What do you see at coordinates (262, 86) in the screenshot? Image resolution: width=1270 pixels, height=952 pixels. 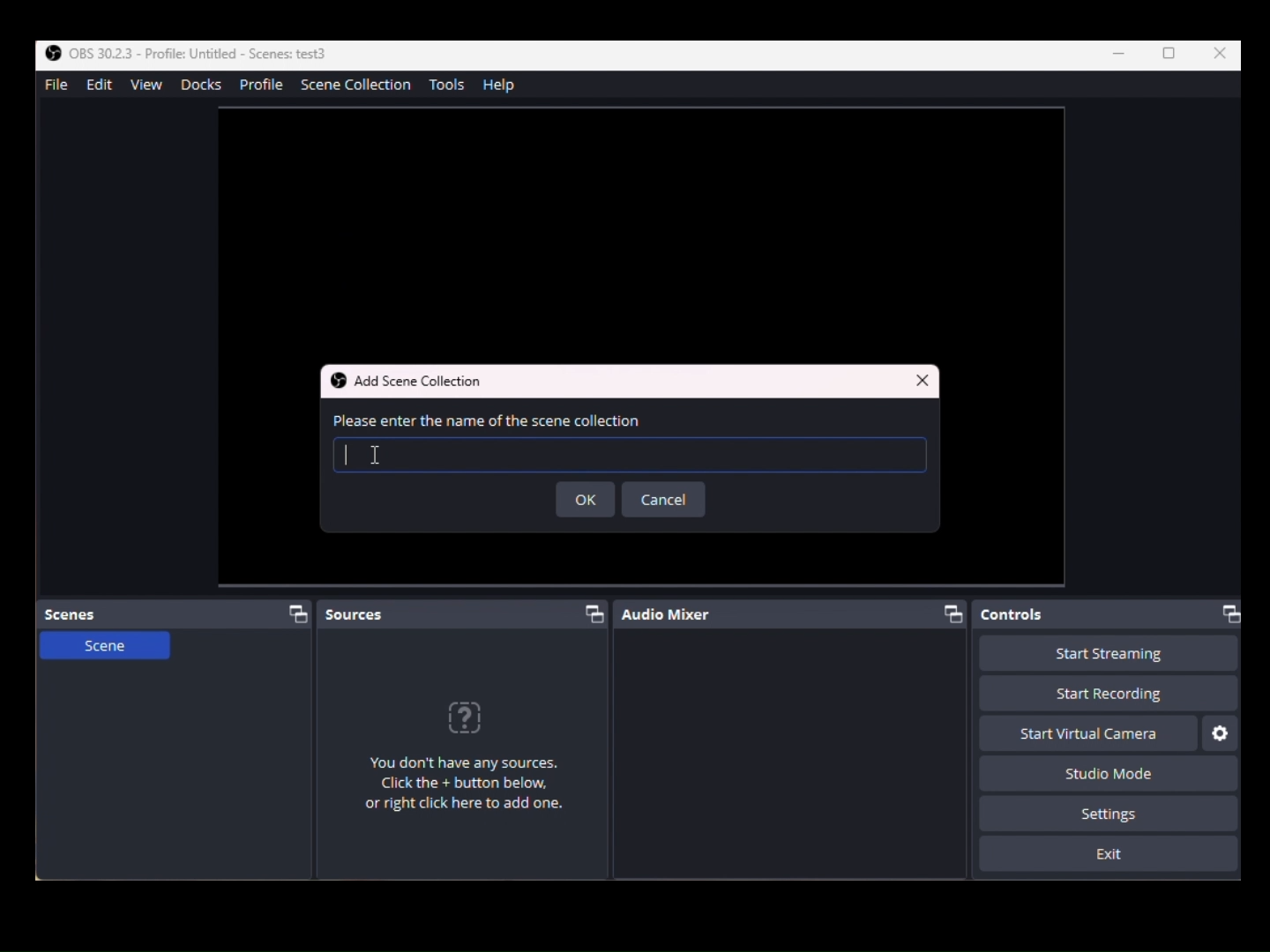 I see `Profile` at bounding box center [262, 86].